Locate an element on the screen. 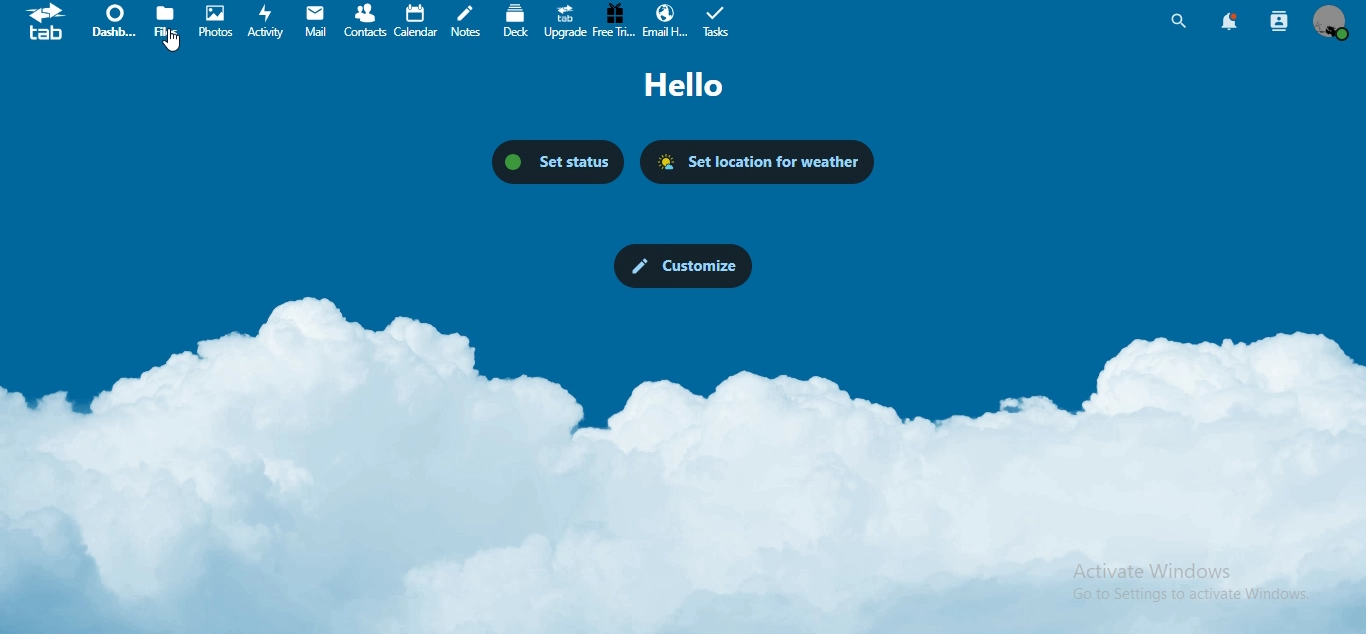 This screenshot has width=1366, height=634. deck is located at coordinates (517, 20).